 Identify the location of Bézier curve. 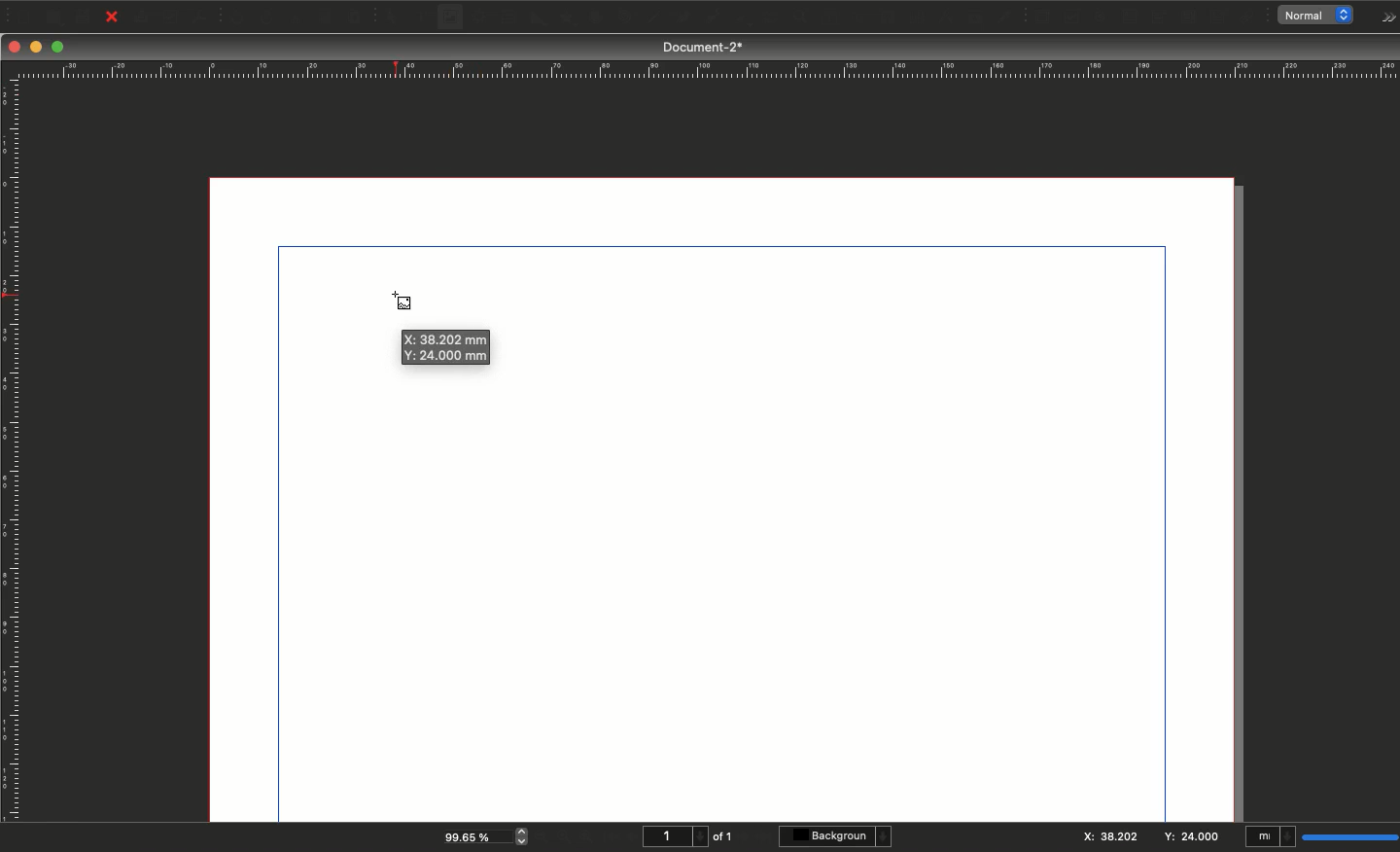
(681, 18).